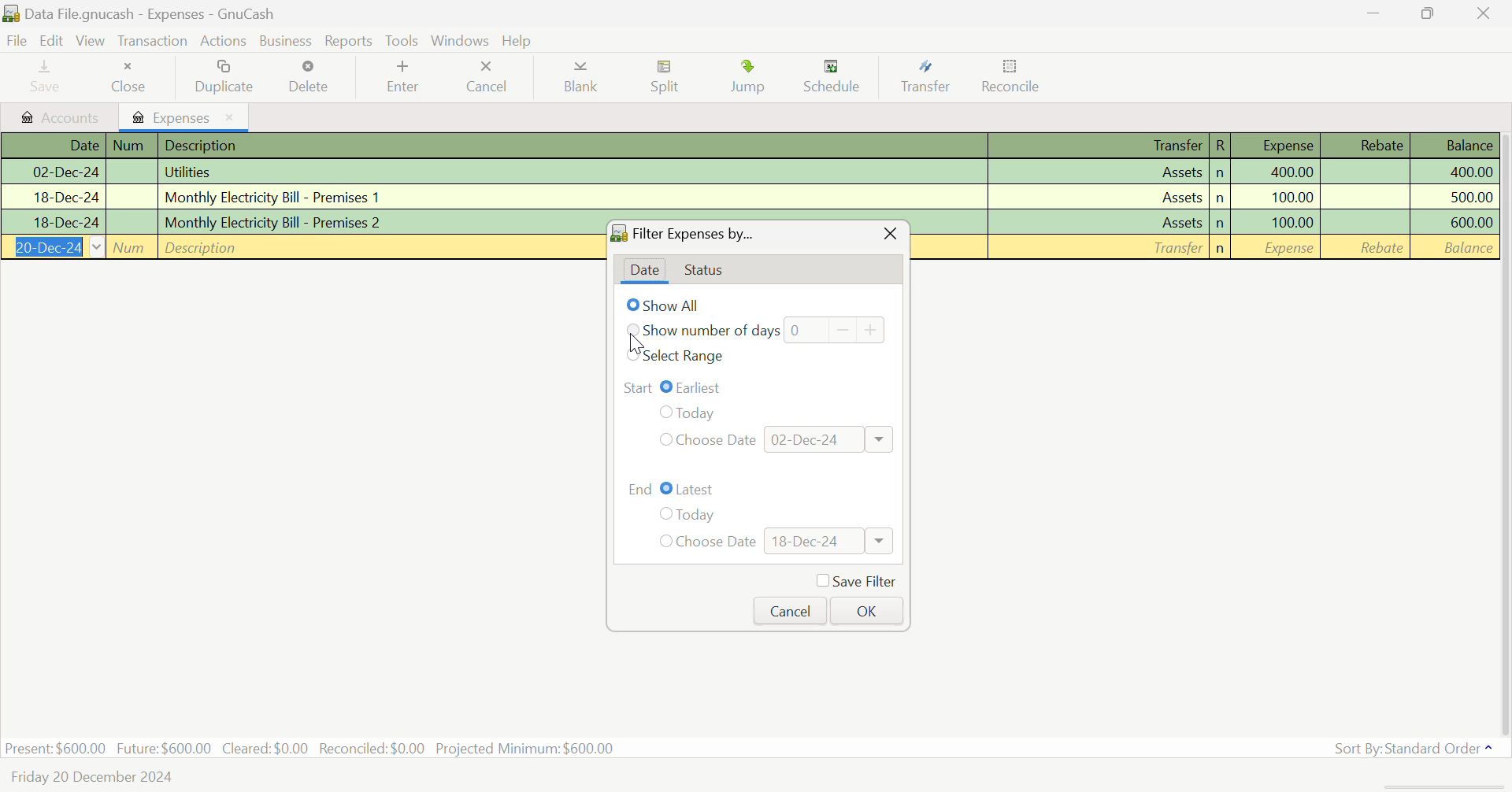 Image resolution: width=1512 pixels, height=792 pixels. I want to click on Restore Down, so click(1380, 13).